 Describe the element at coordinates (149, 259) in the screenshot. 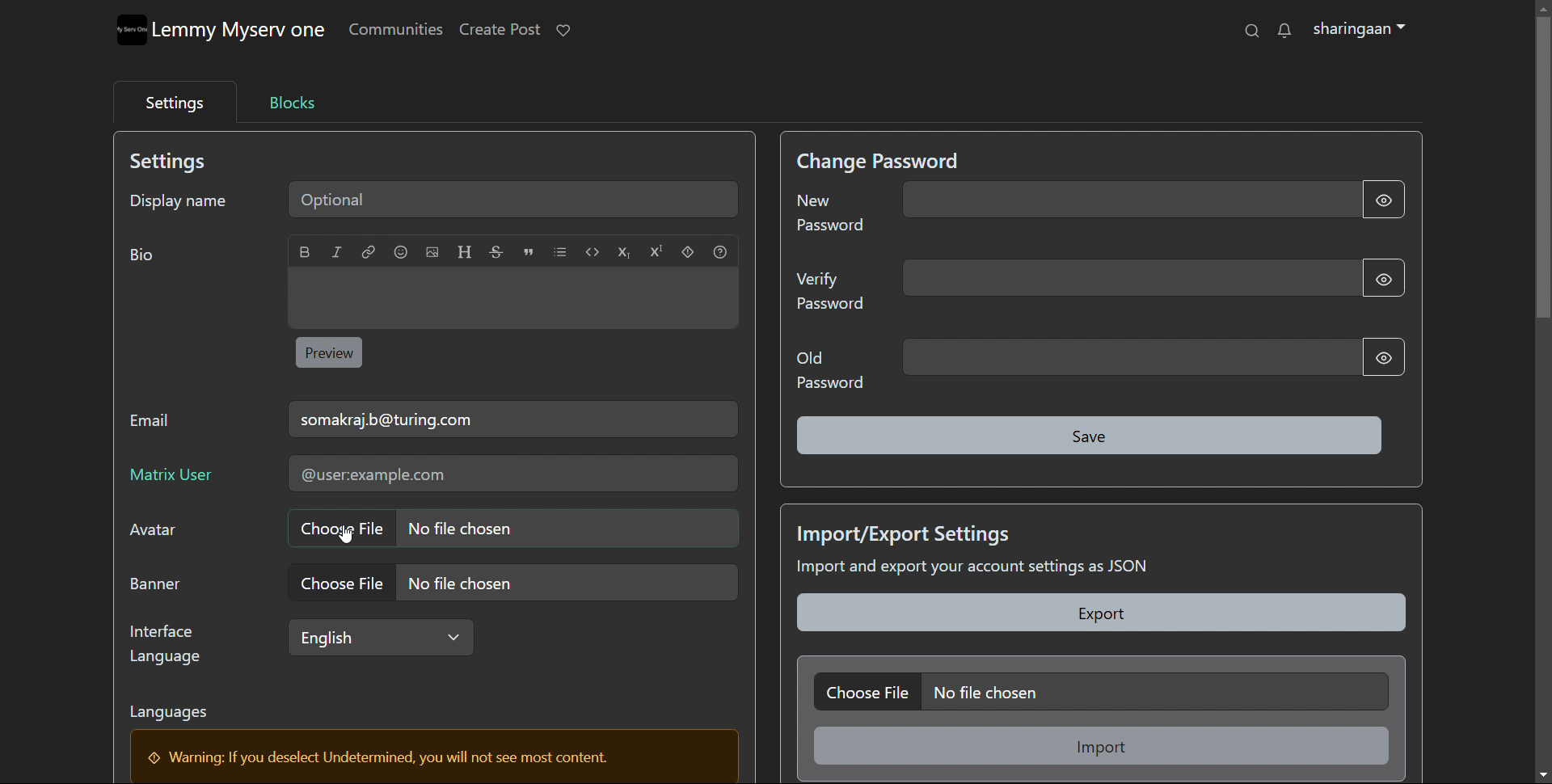

I see `Bio` at that location.